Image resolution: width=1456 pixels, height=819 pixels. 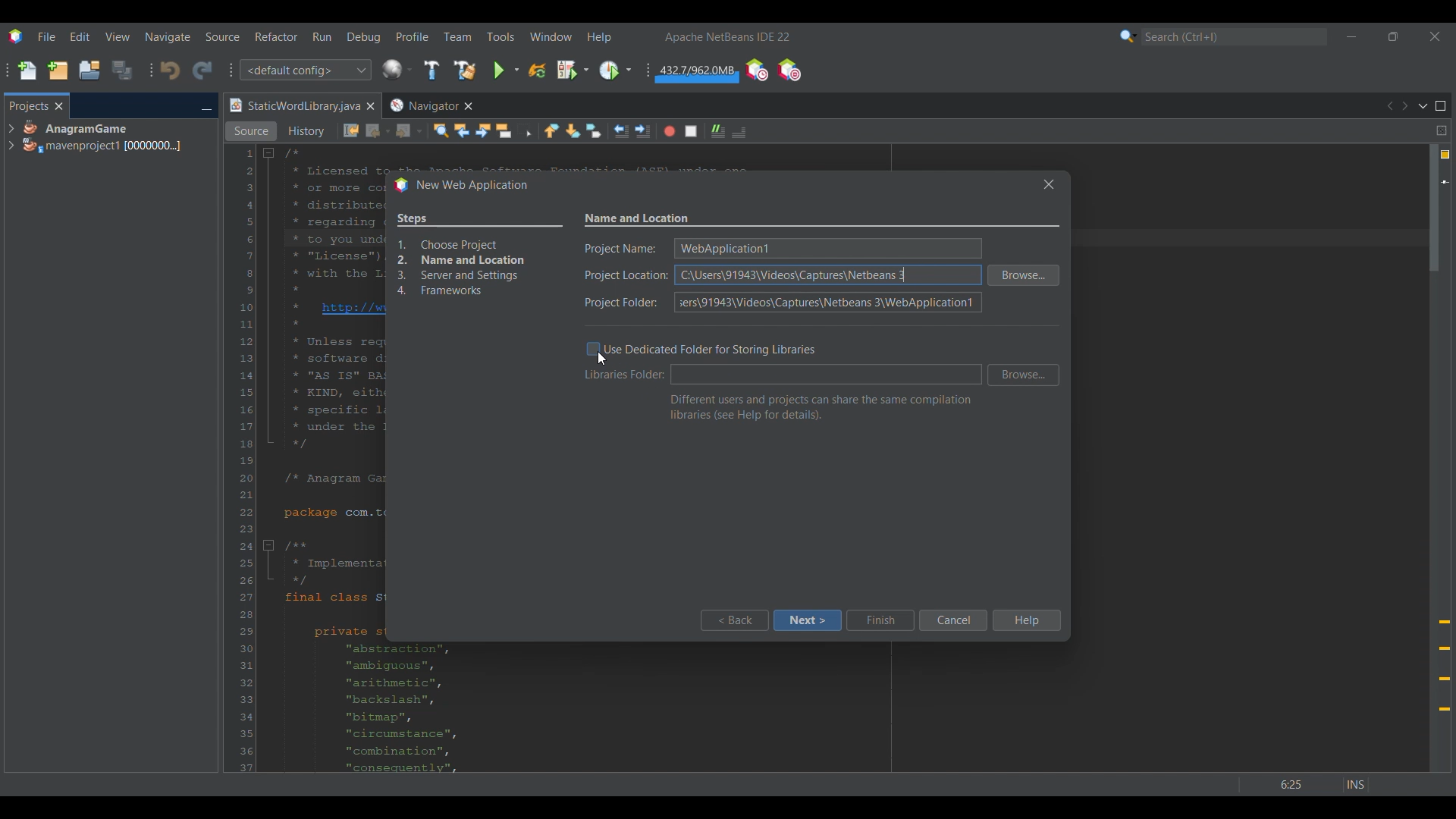 What do you see at coordinates (206, 107) in the screenshot?
I see `Minimize` at bounding box center [206, 107].